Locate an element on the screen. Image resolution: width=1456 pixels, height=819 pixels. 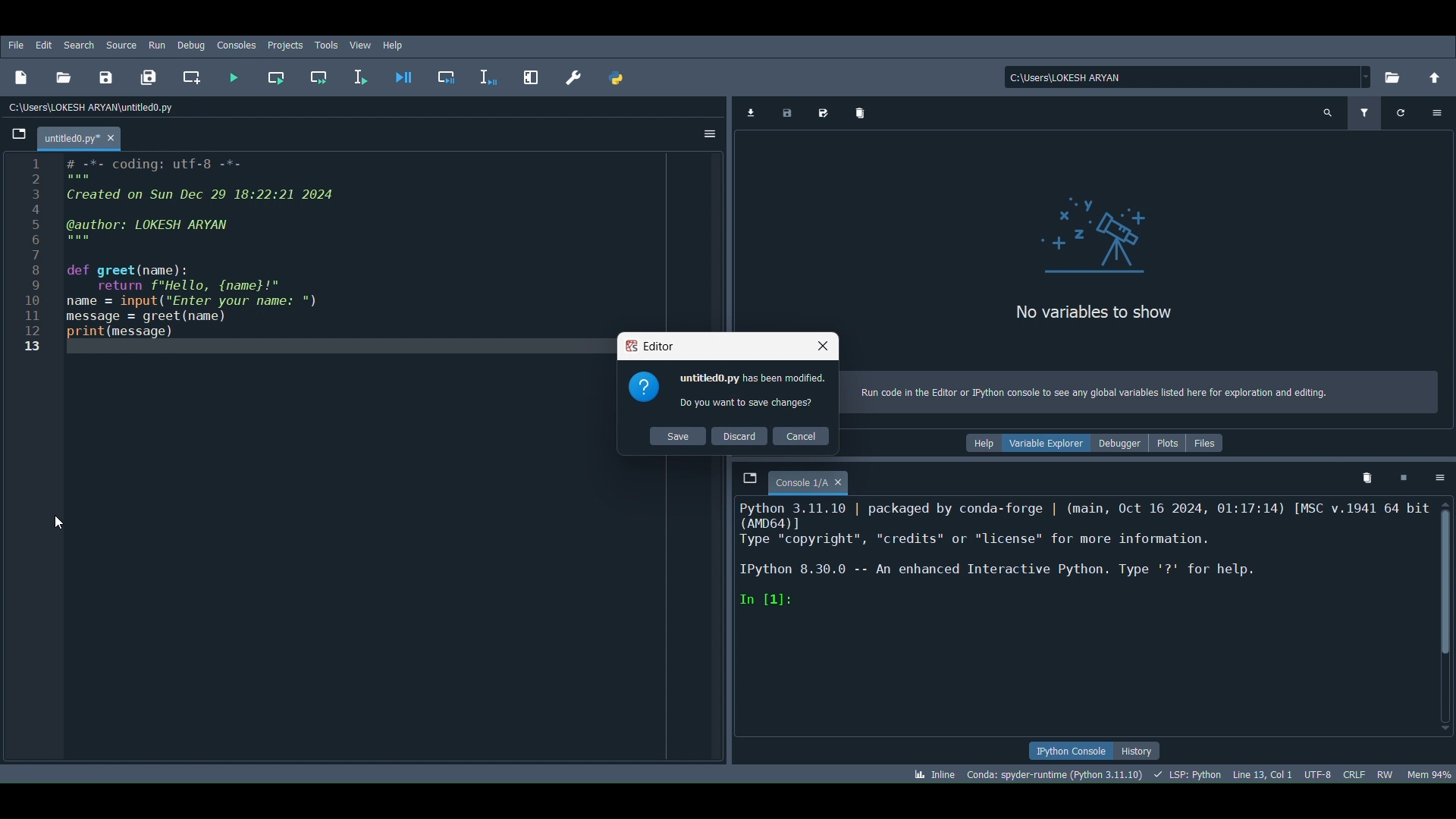
Console is located at coordinates (1080, 617).